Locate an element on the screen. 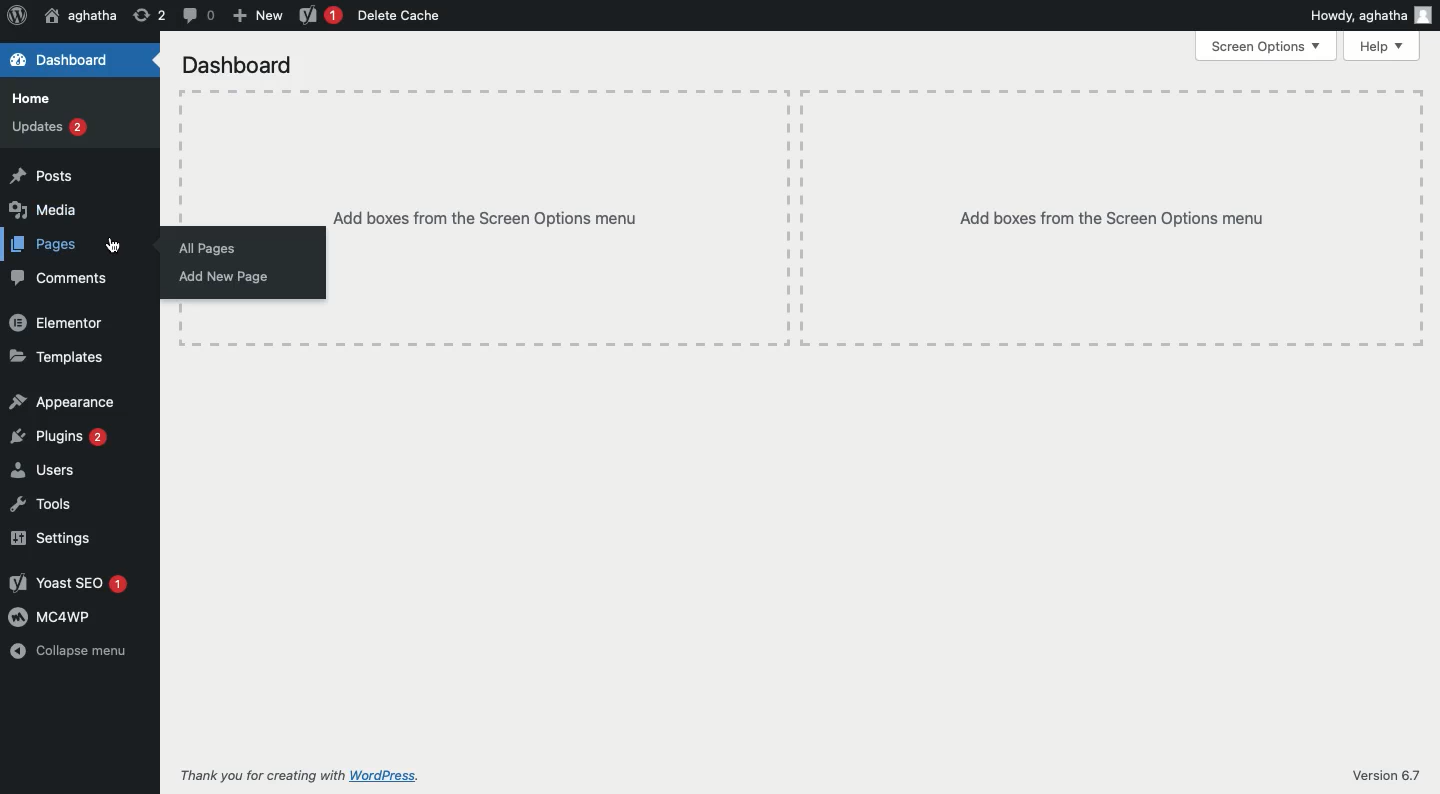  Version 6.7 is located at coordinates (1387, 776).